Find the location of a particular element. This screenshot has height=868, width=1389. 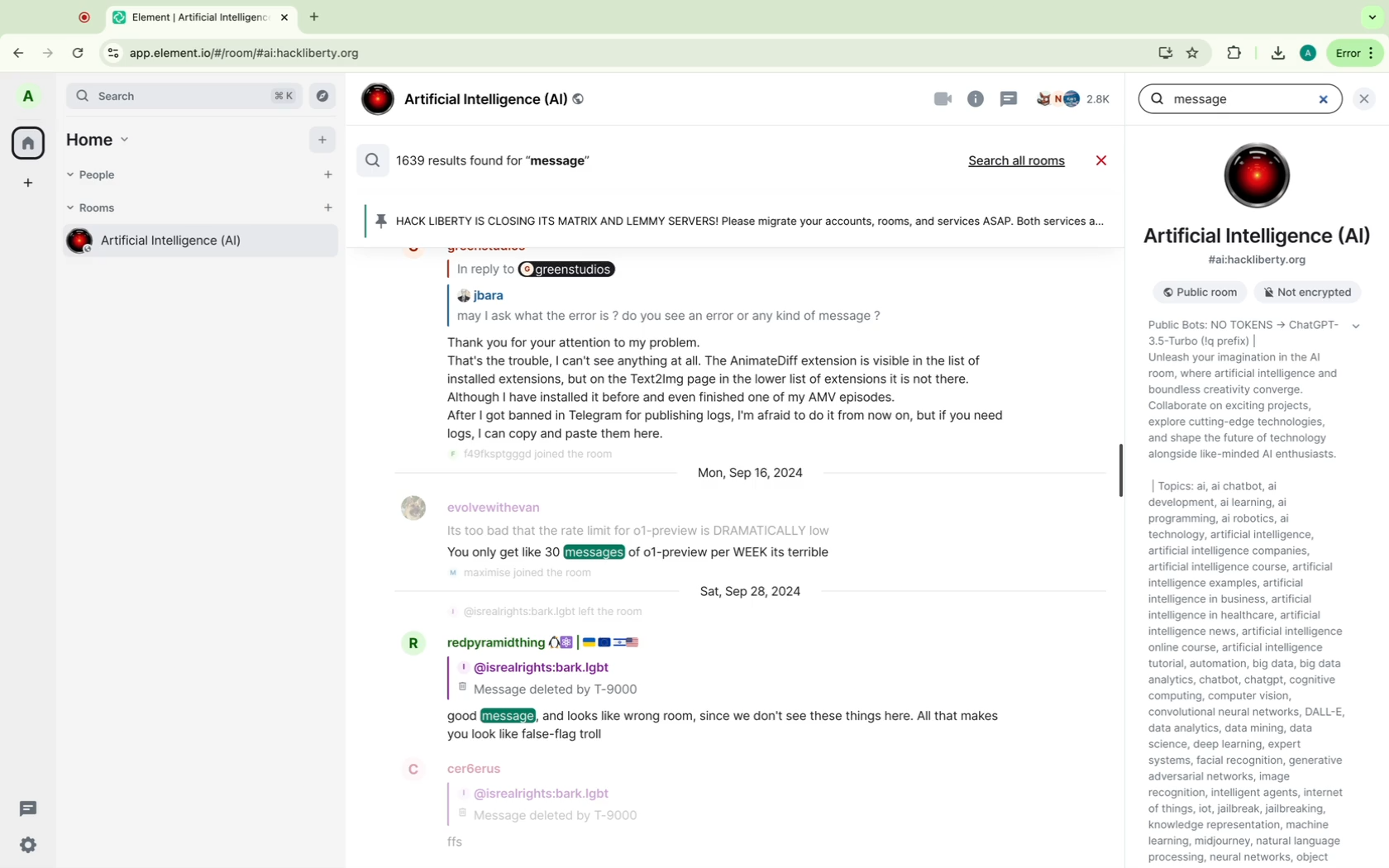

room join is located at coordinates (521, 574).